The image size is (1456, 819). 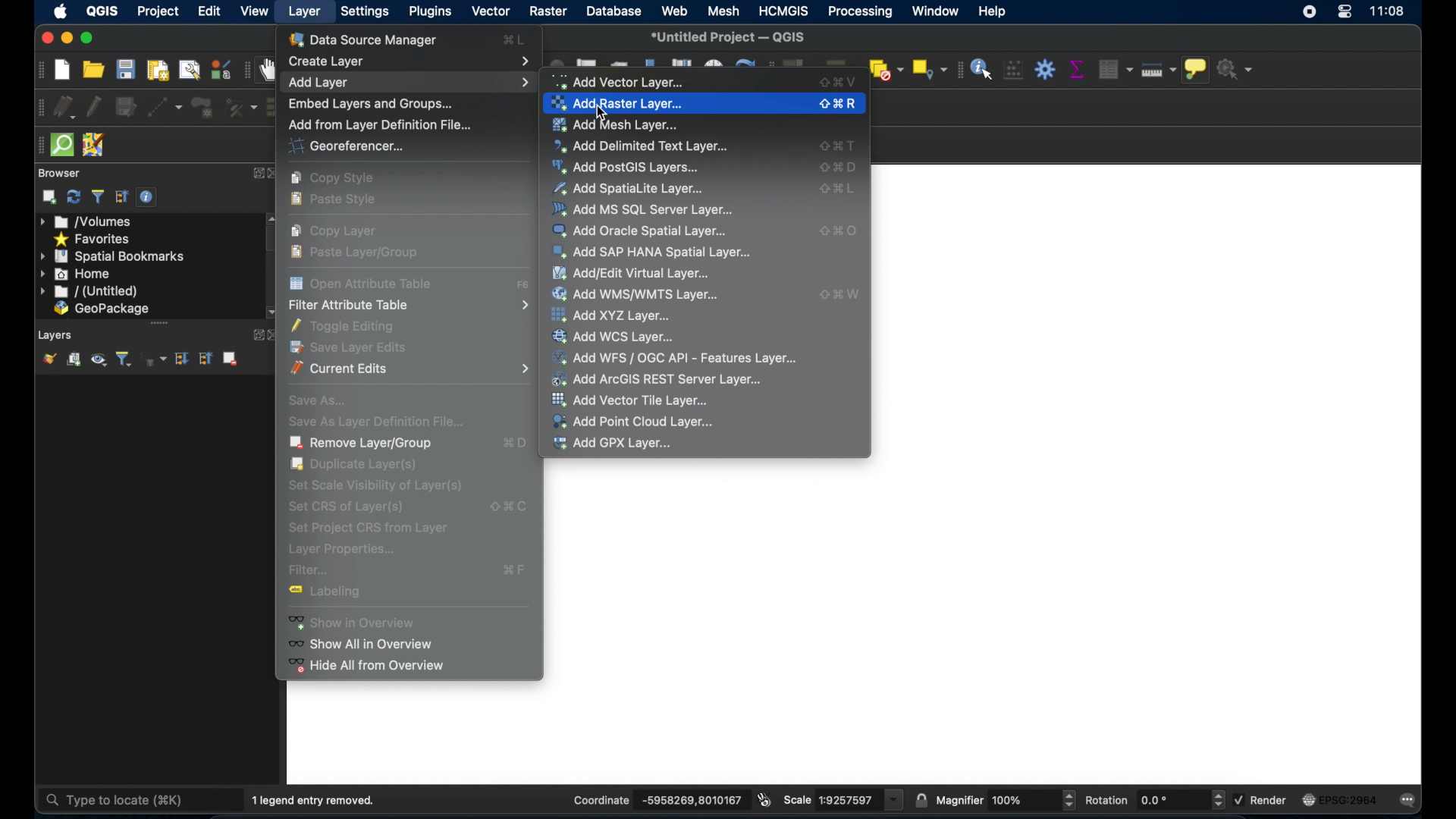 I want to click on filter layer by expression, so click(x=154, y=359).